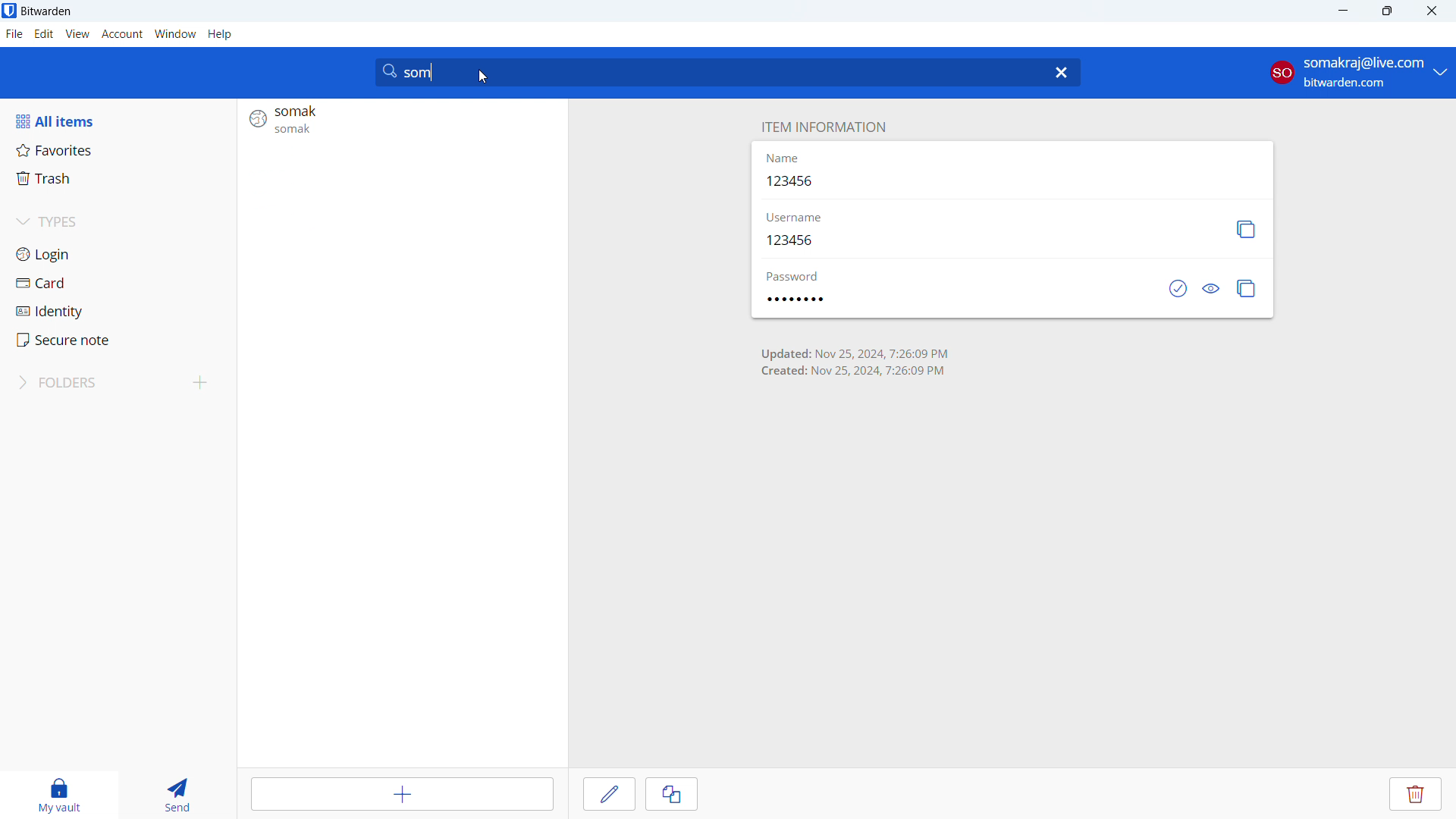 The height and width of the screenshot is (819, 1456). Describe the element at coordinates (1247, 289) in the screenshot. I see `copy password` at that location.